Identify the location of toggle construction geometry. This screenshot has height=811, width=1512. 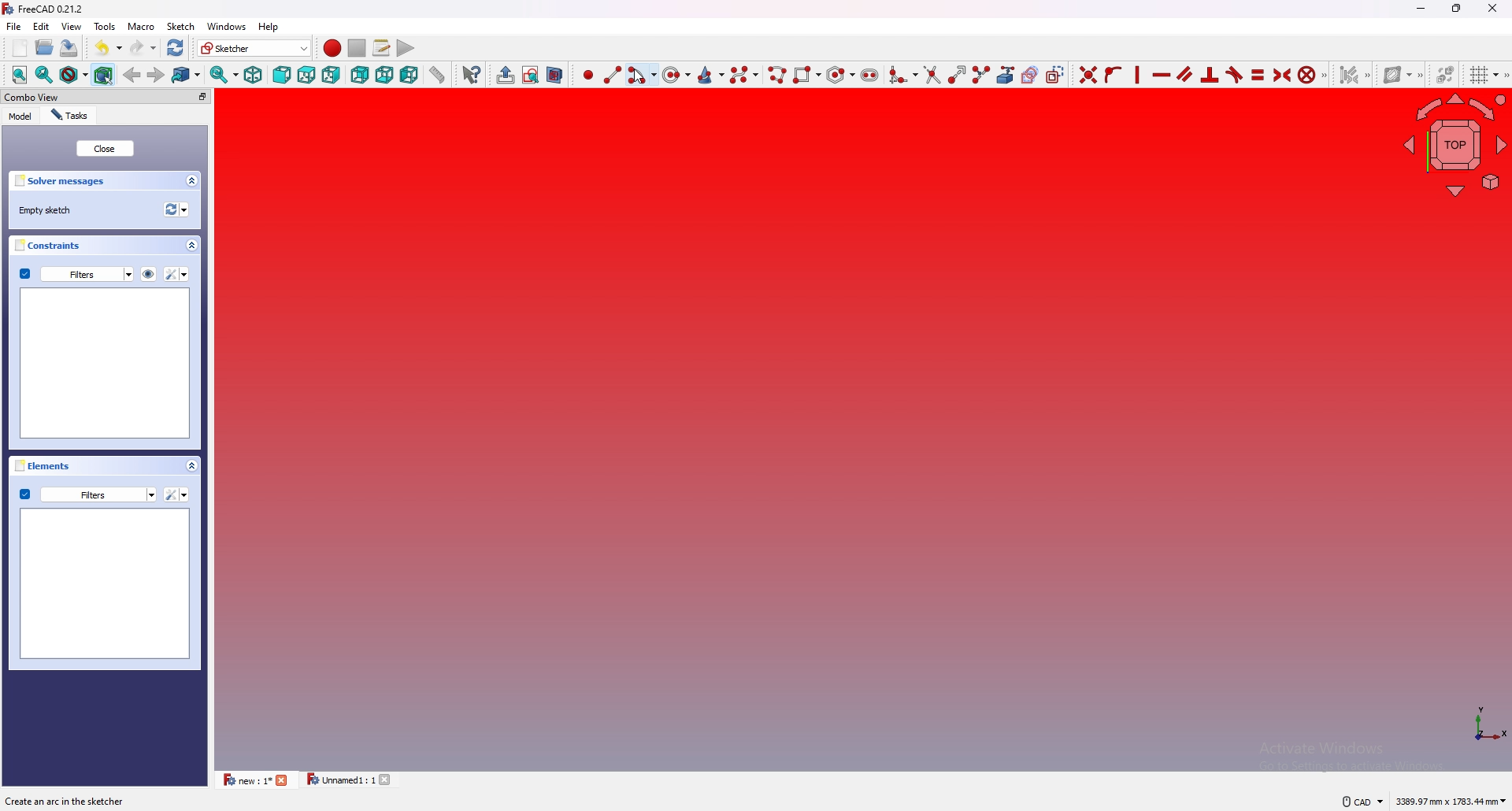
(1054, 73).